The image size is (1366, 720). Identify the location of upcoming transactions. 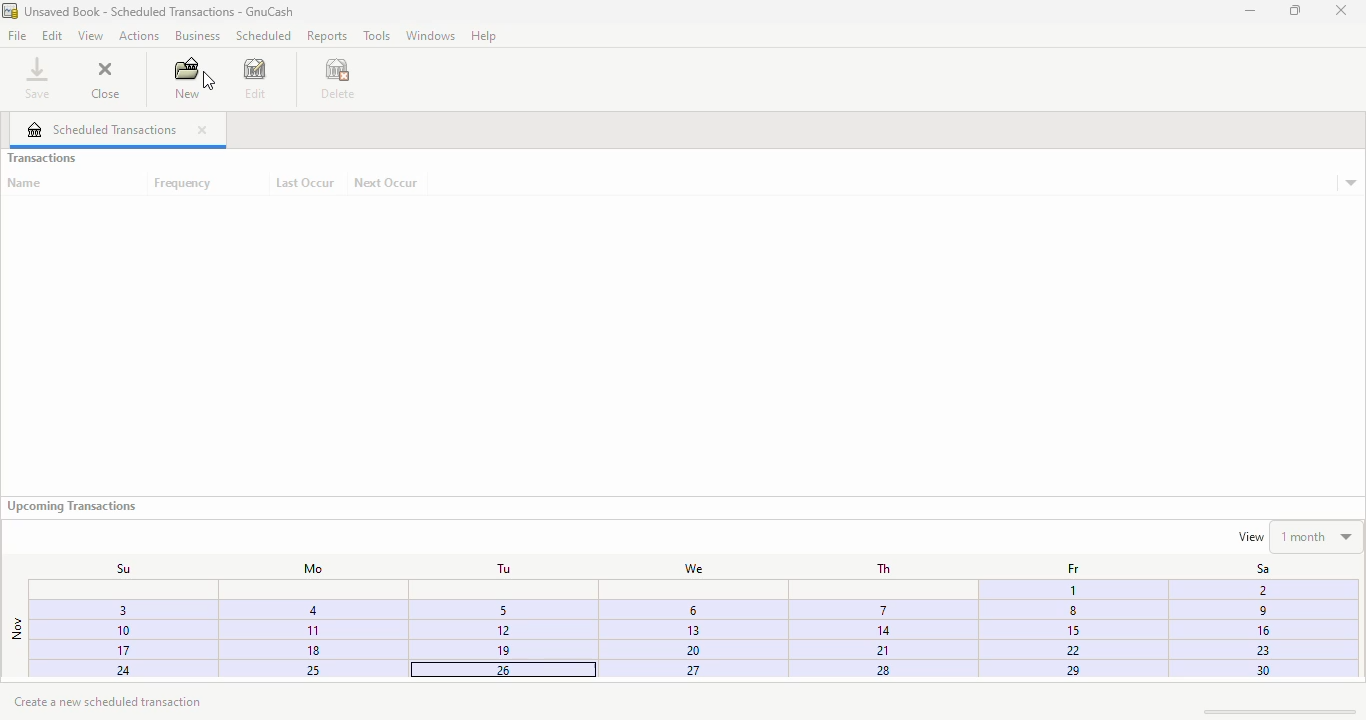
(71, 506).